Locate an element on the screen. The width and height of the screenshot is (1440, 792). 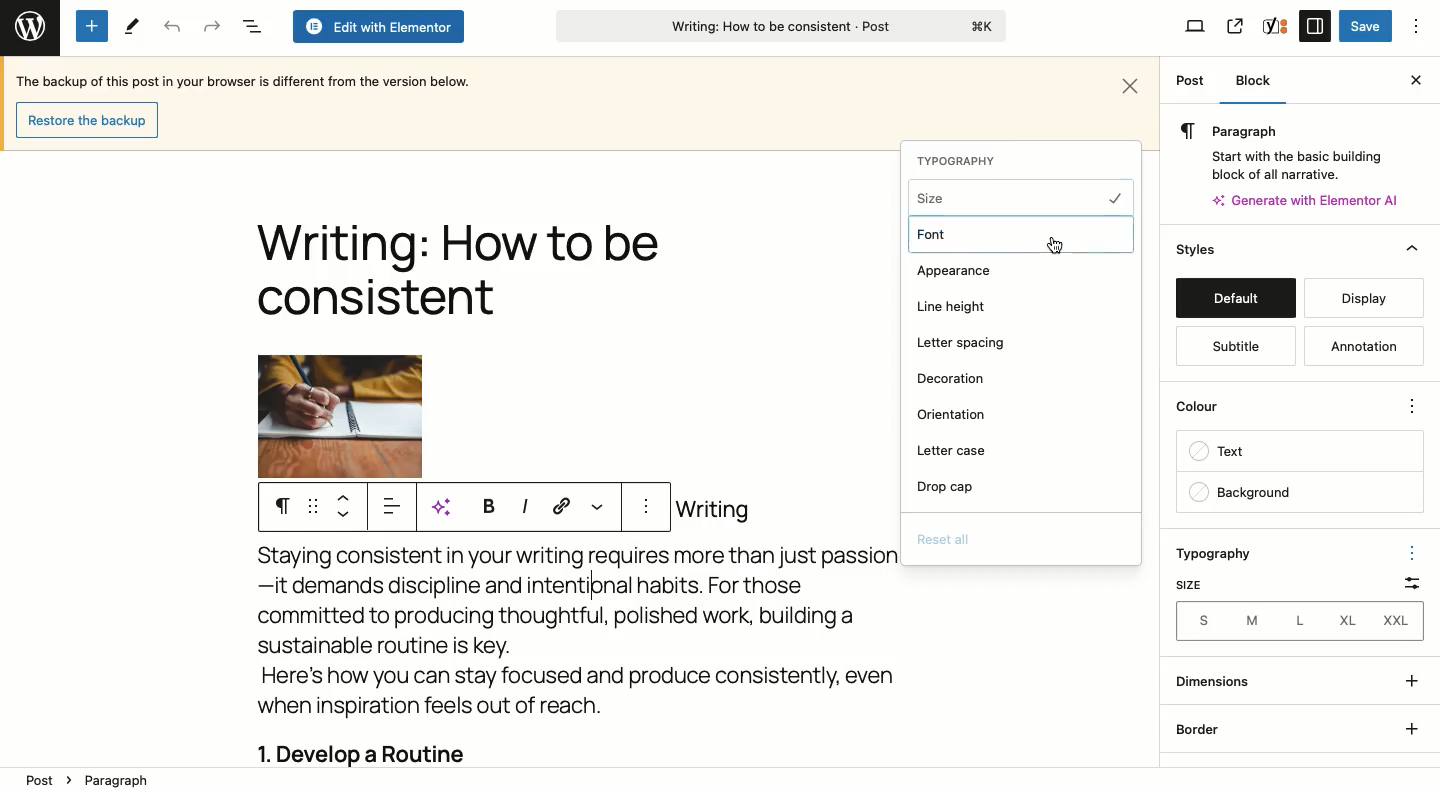
Default is located at coordinates (1235, 298).